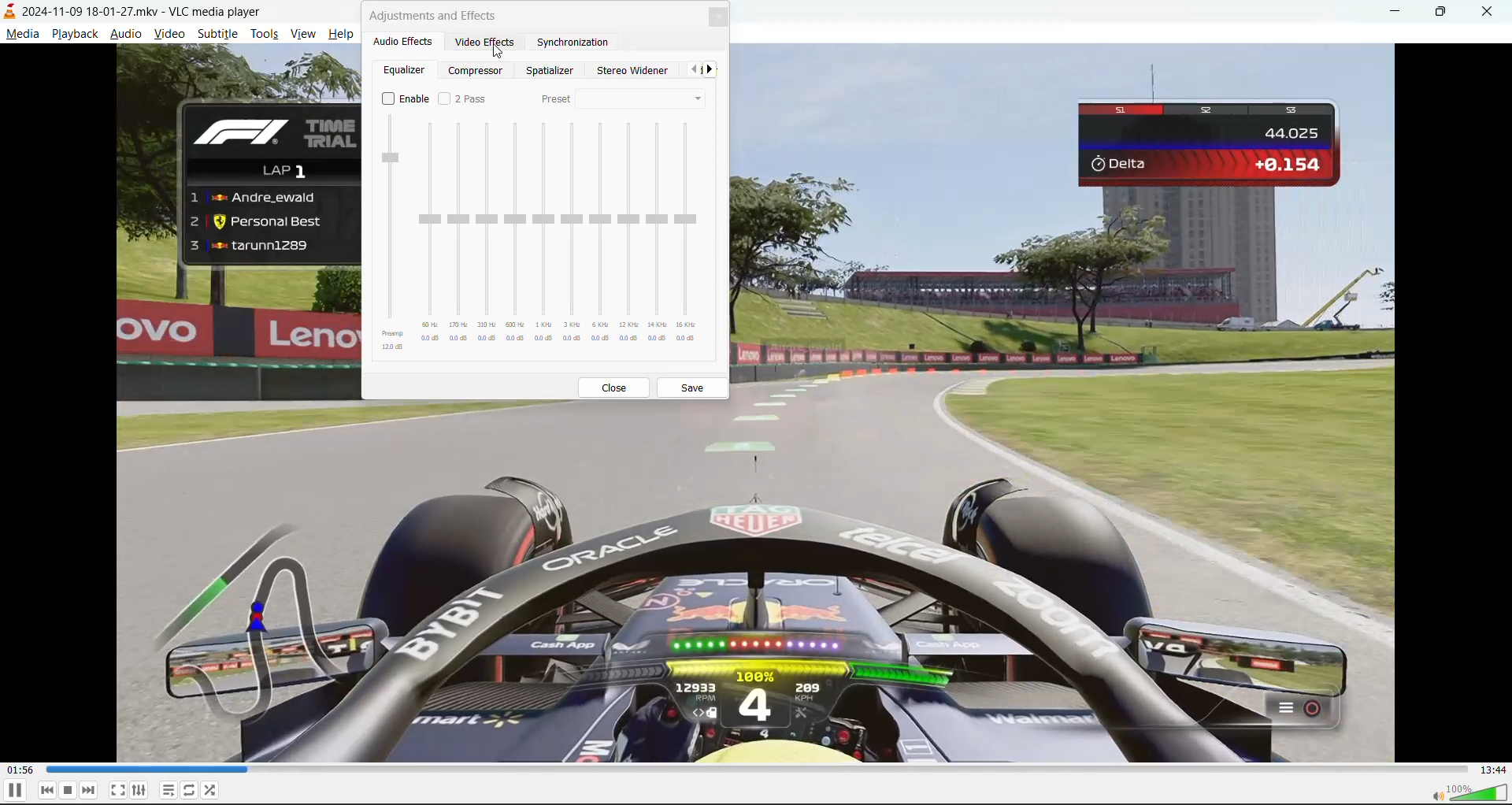 This screenshot has width=1512, height=805. Describe the element at coordinates (409, 98) in the screenshot. I see `enable` at that location.